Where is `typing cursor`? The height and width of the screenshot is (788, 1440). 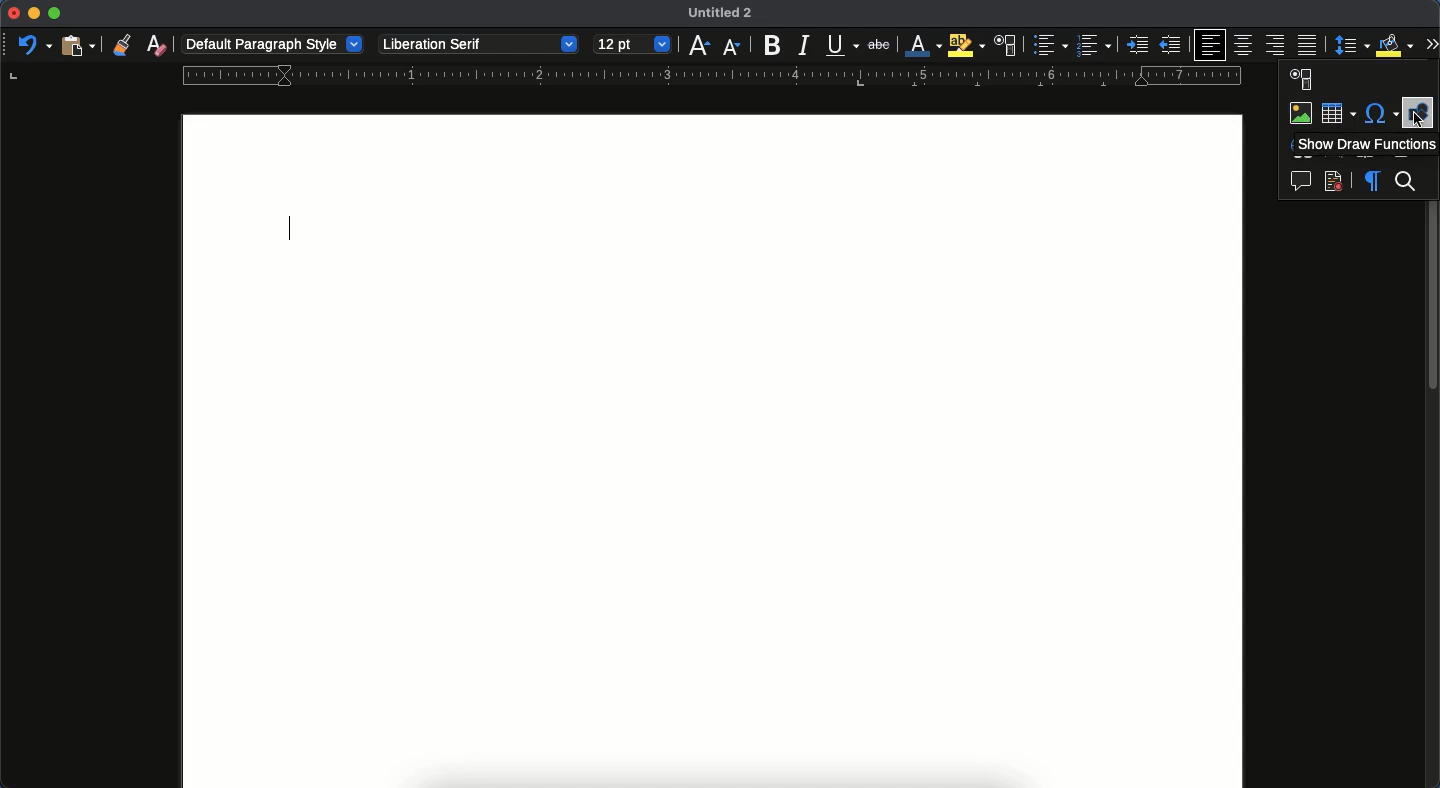 typing cursor is located at coordinates (292, 231).